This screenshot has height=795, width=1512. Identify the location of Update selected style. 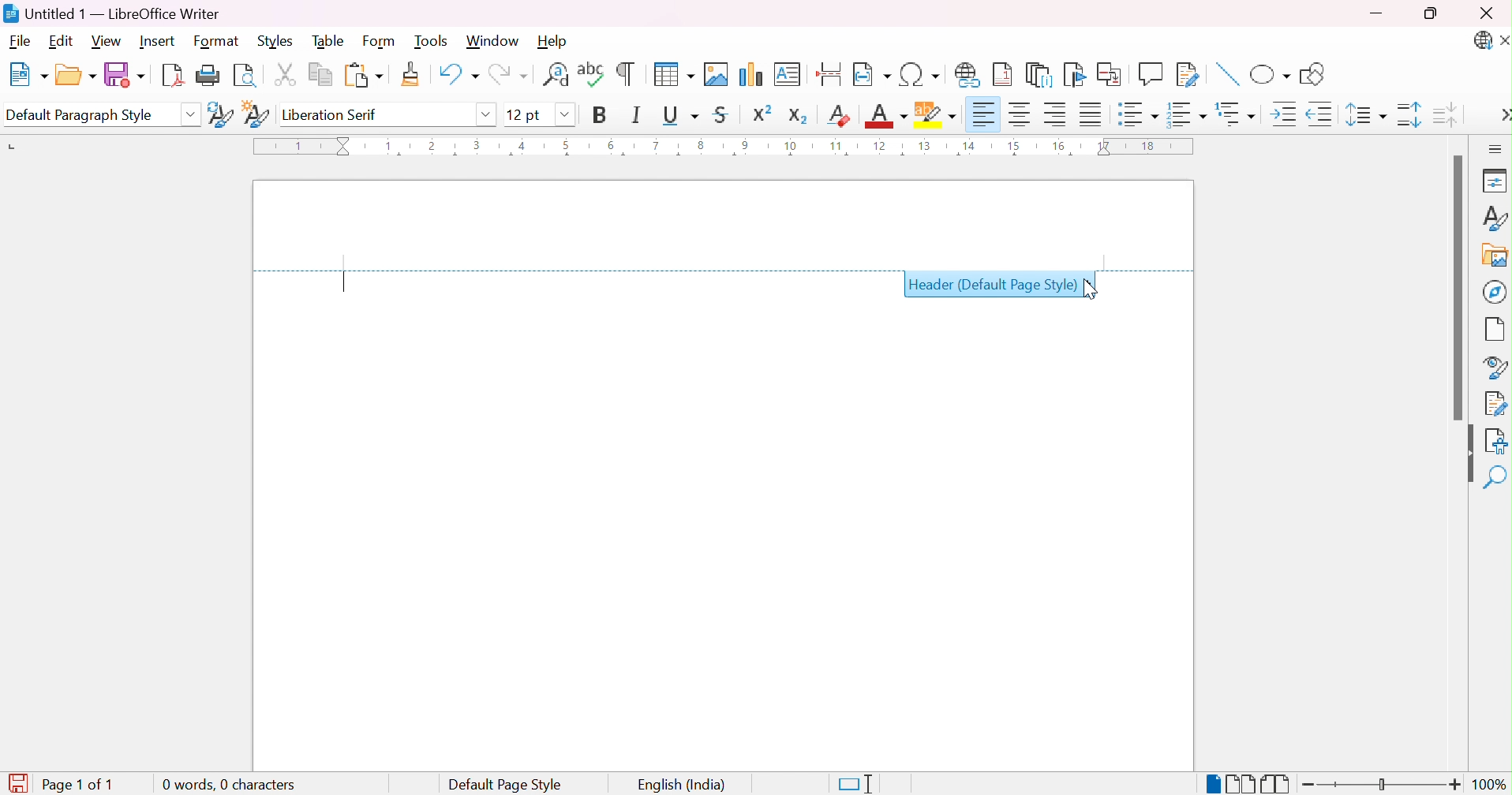
(219, 115).